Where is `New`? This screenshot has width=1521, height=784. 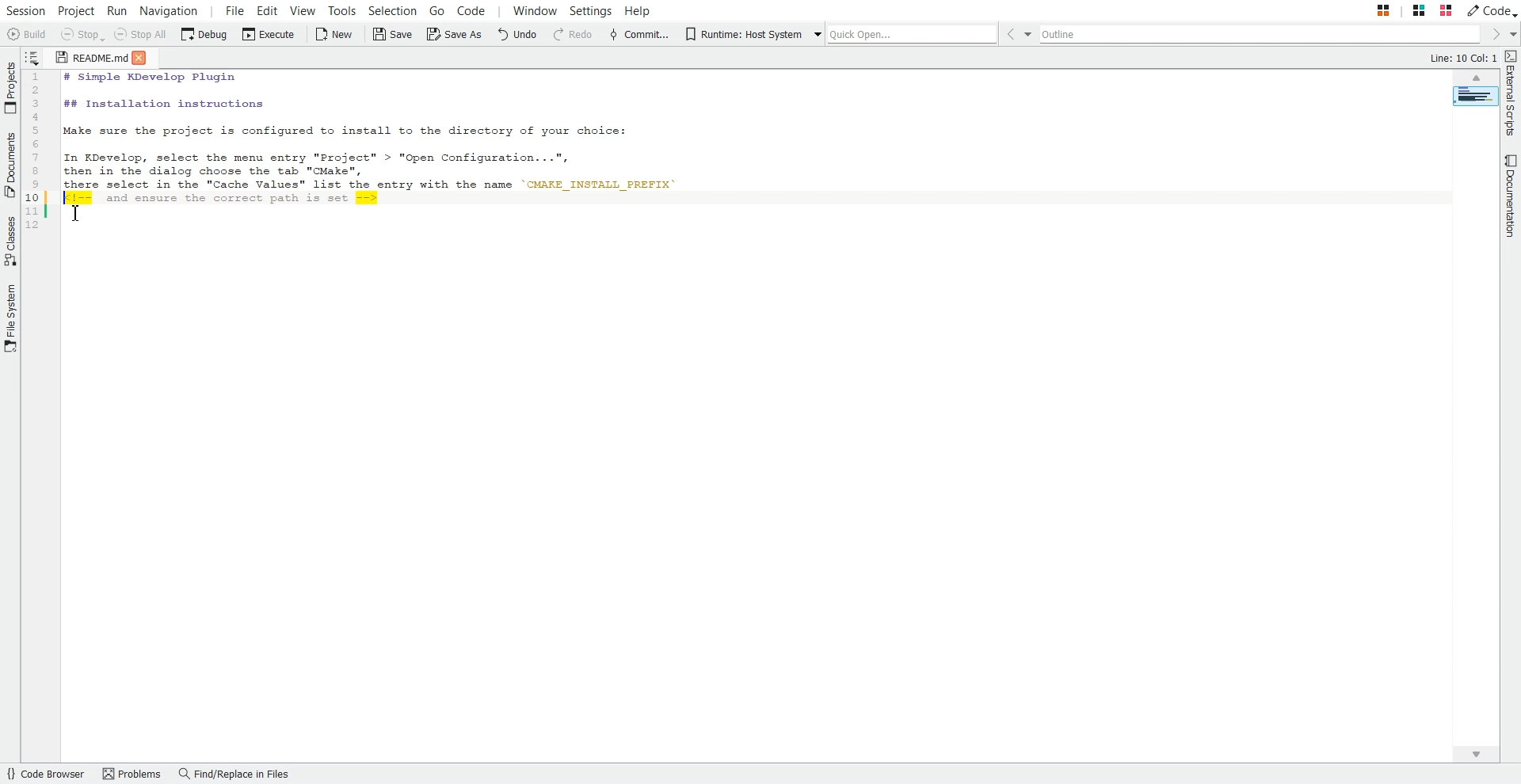 New is located at coordinates (336, 35).